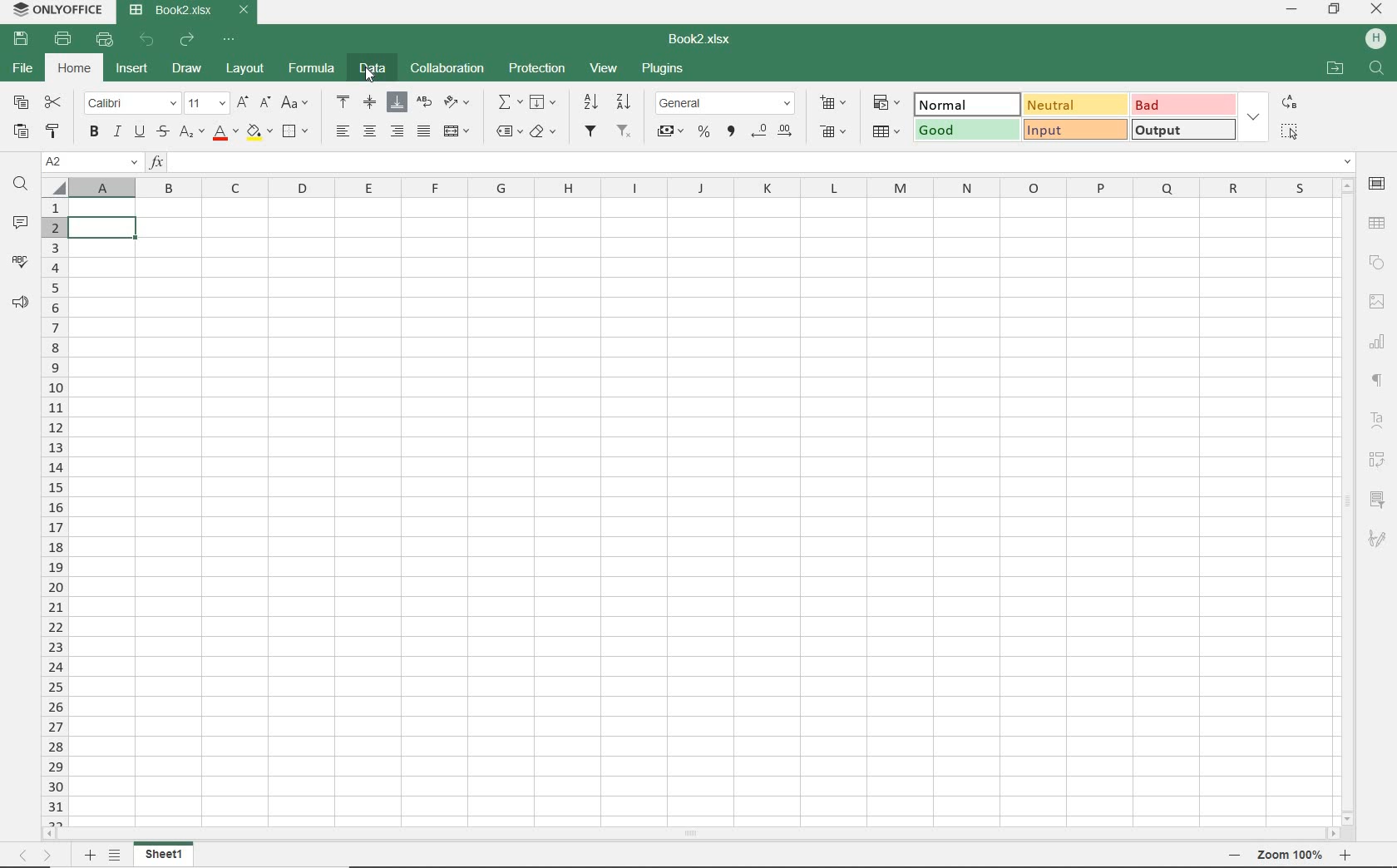 The image size is (1397, 868). Describe the element at coordinates (368, 101) in the screenshot. I see `ALIGN MIDDLE` at that location.